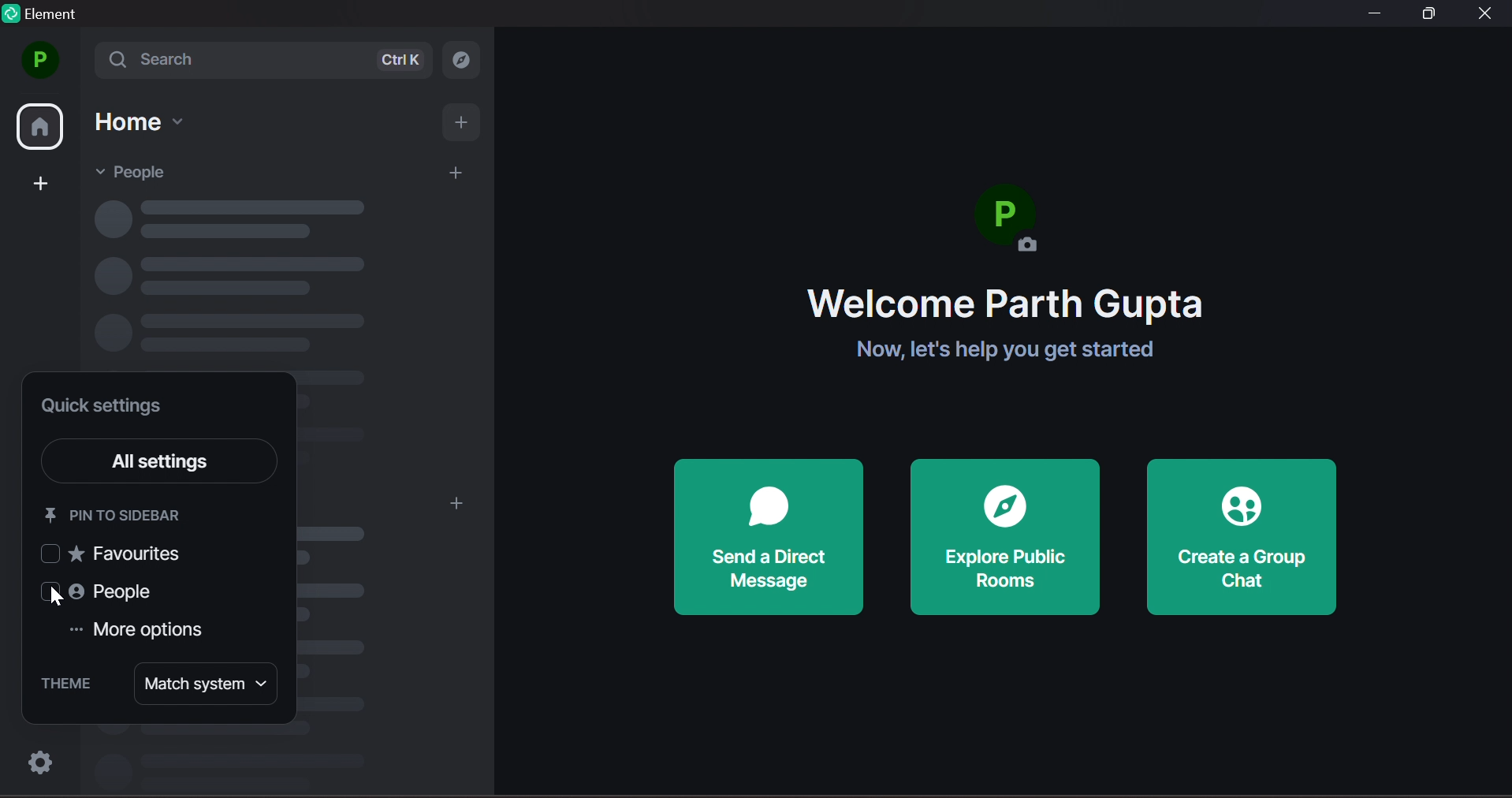 The height and width of the screenshot is (798, 1512). I want to click on People, so click(87, 591).